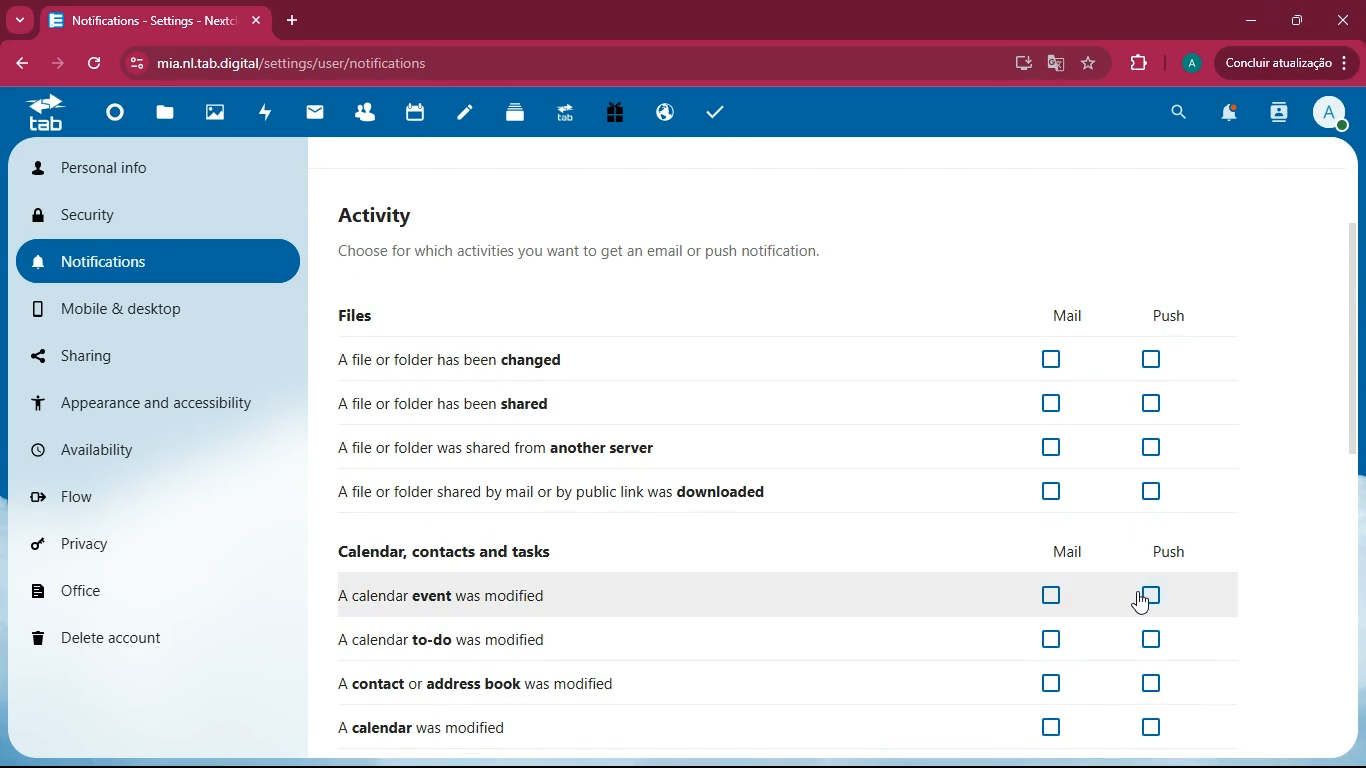 The image size is (1366, 768). What do you see at coordinates (1151, 403) in the screenshot?
I see `checkbox` at bounding box center [1151, 403].